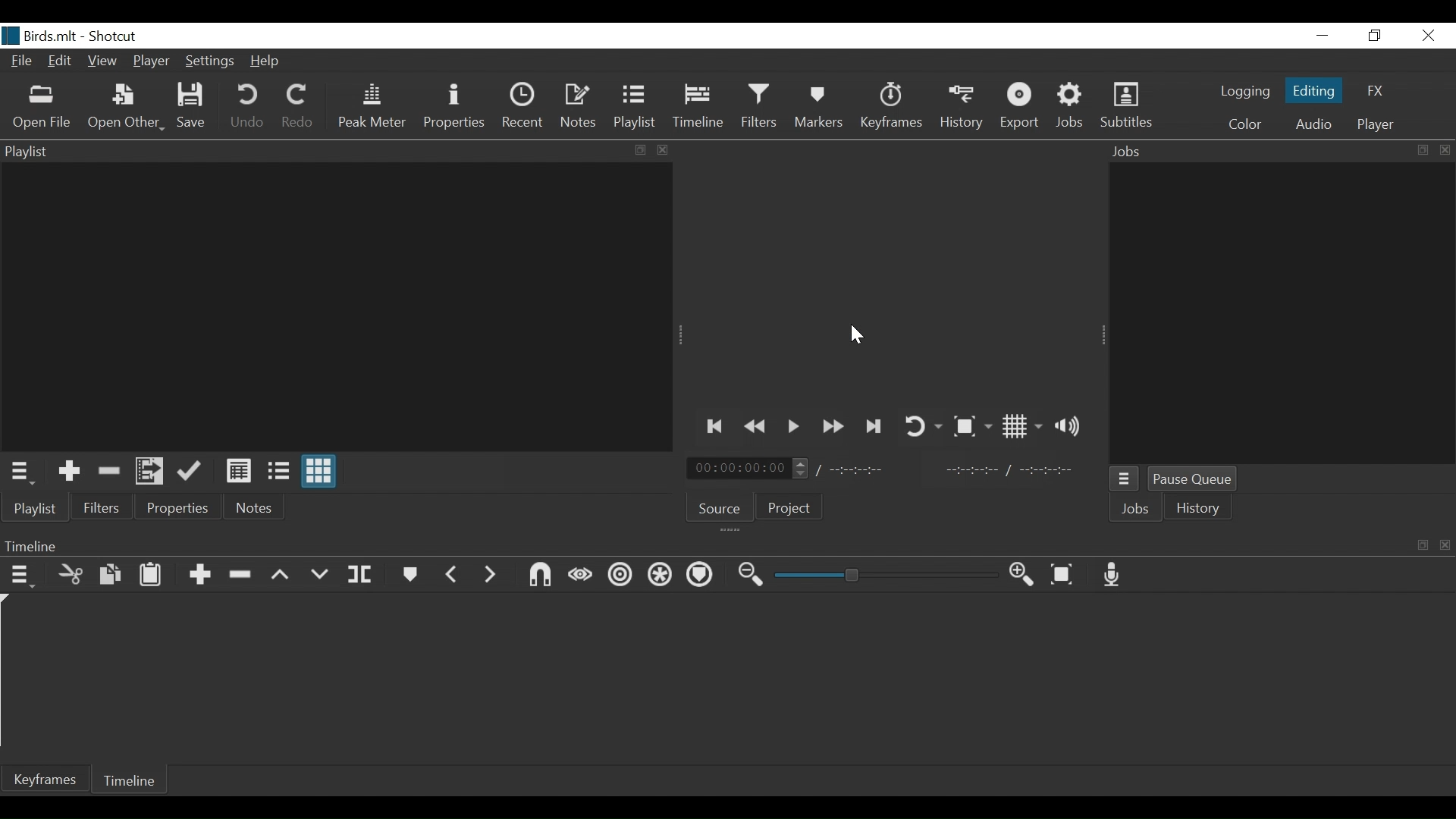 The height and width of the screenshot is (819, 1456). Describe the element at coordinates (1426, 35) in the screenshot. I see `Close` at that location.